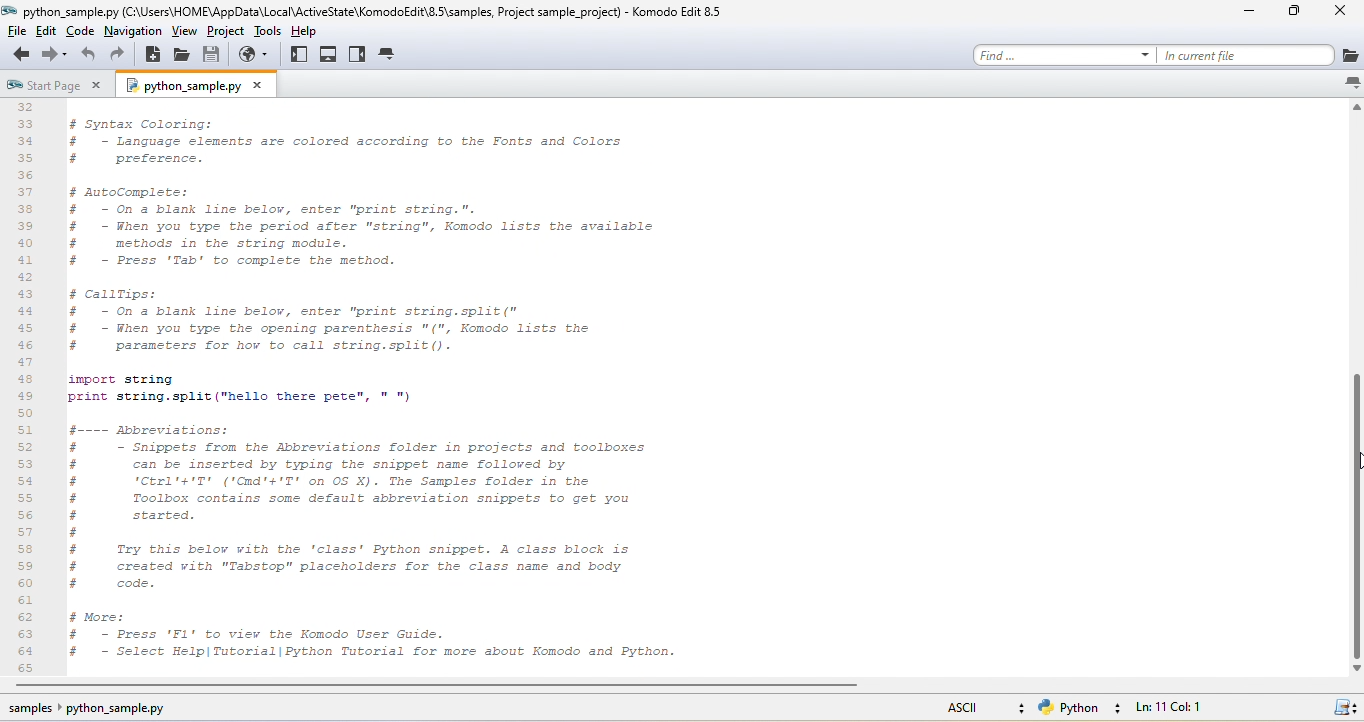 The image size is (1364, 722). I want to click on python, so click(1087, 708).